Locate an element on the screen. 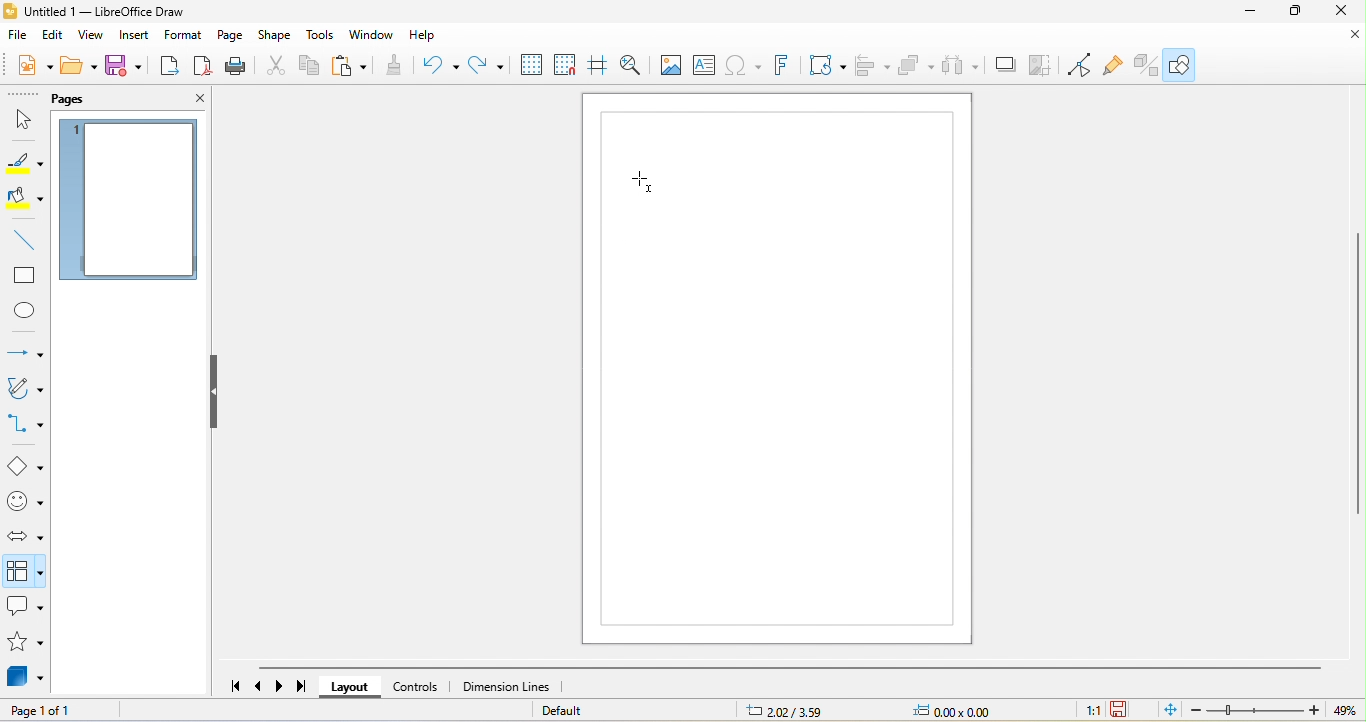 This screenshot has height=722, width=1366. page 1 is located at coordinates (128, 202).